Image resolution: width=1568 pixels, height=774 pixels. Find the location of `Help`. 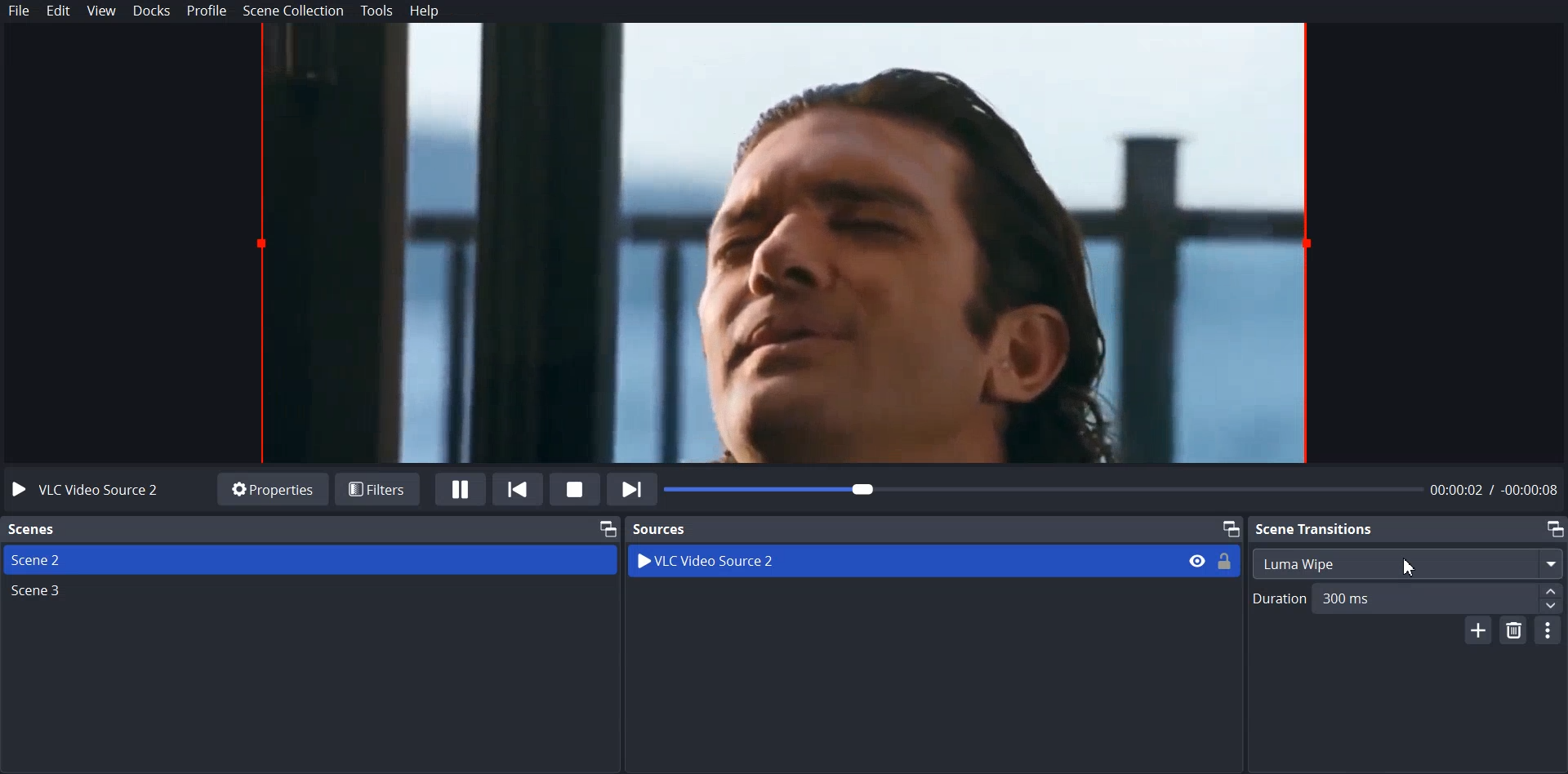

Help is located at coordinates (425, 12).